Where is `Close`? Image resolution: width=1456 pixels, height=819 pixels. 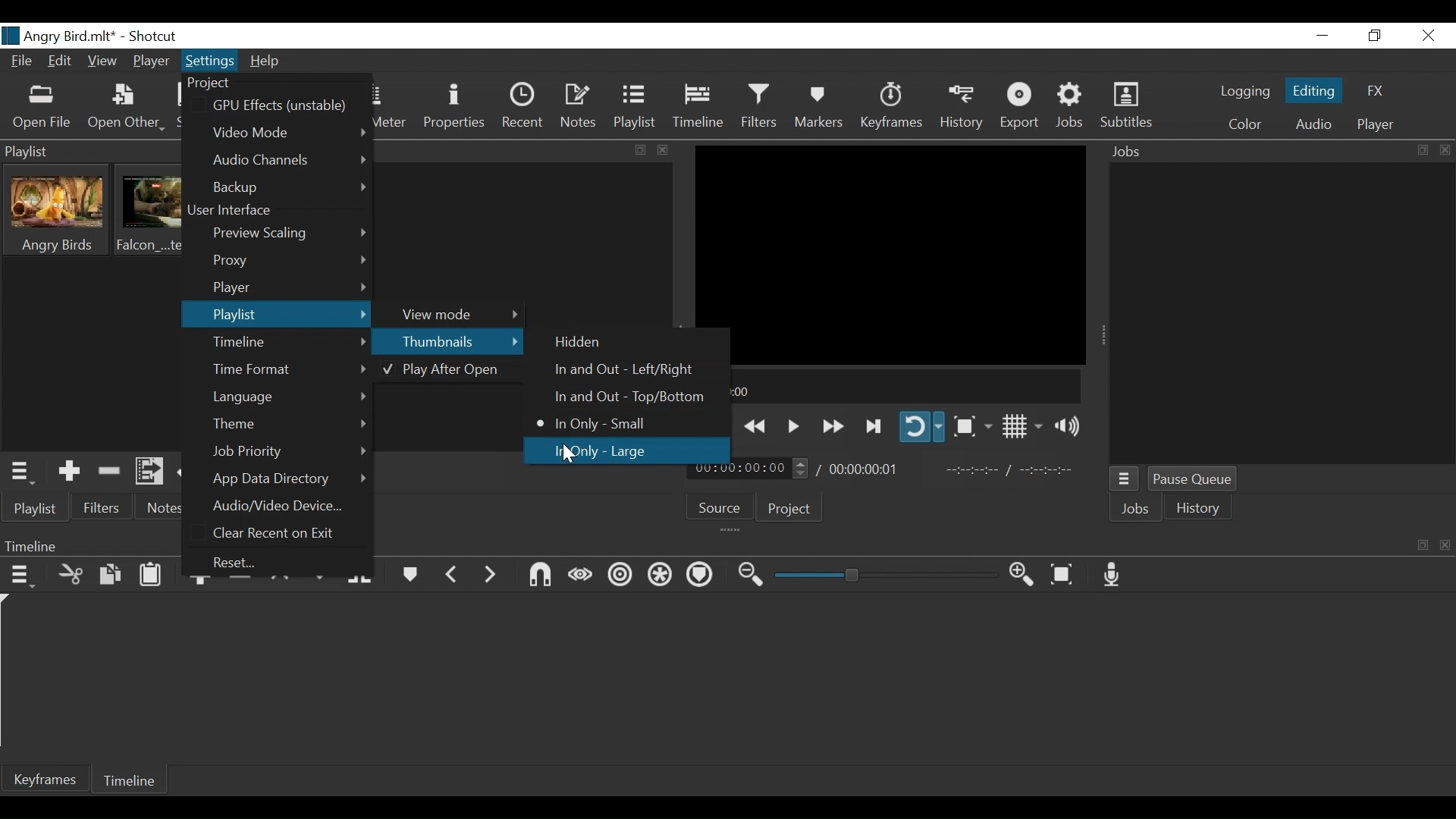 Close is located at coordinates (1429, 36).